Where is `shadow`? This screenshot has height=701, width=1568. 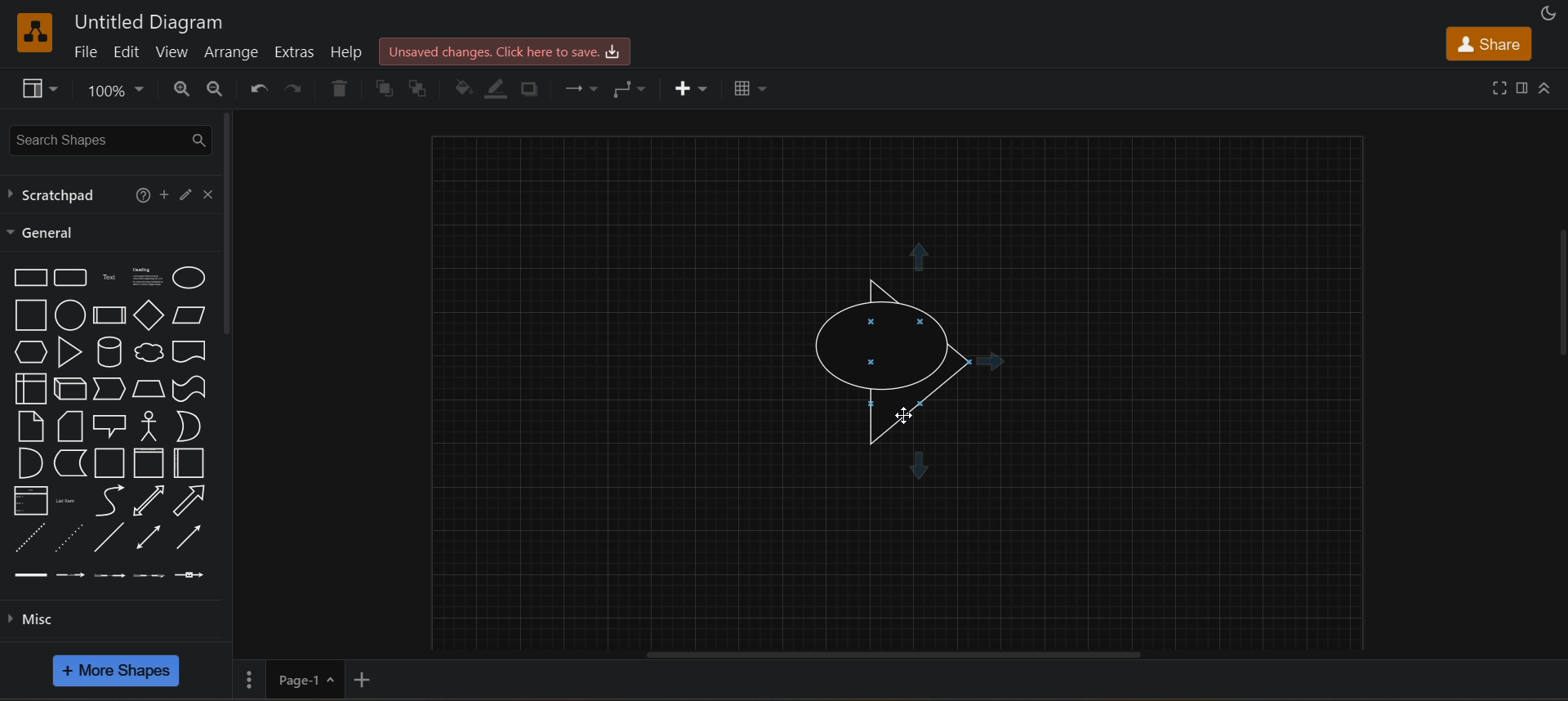 shadow is located at coordinates (532, 90).